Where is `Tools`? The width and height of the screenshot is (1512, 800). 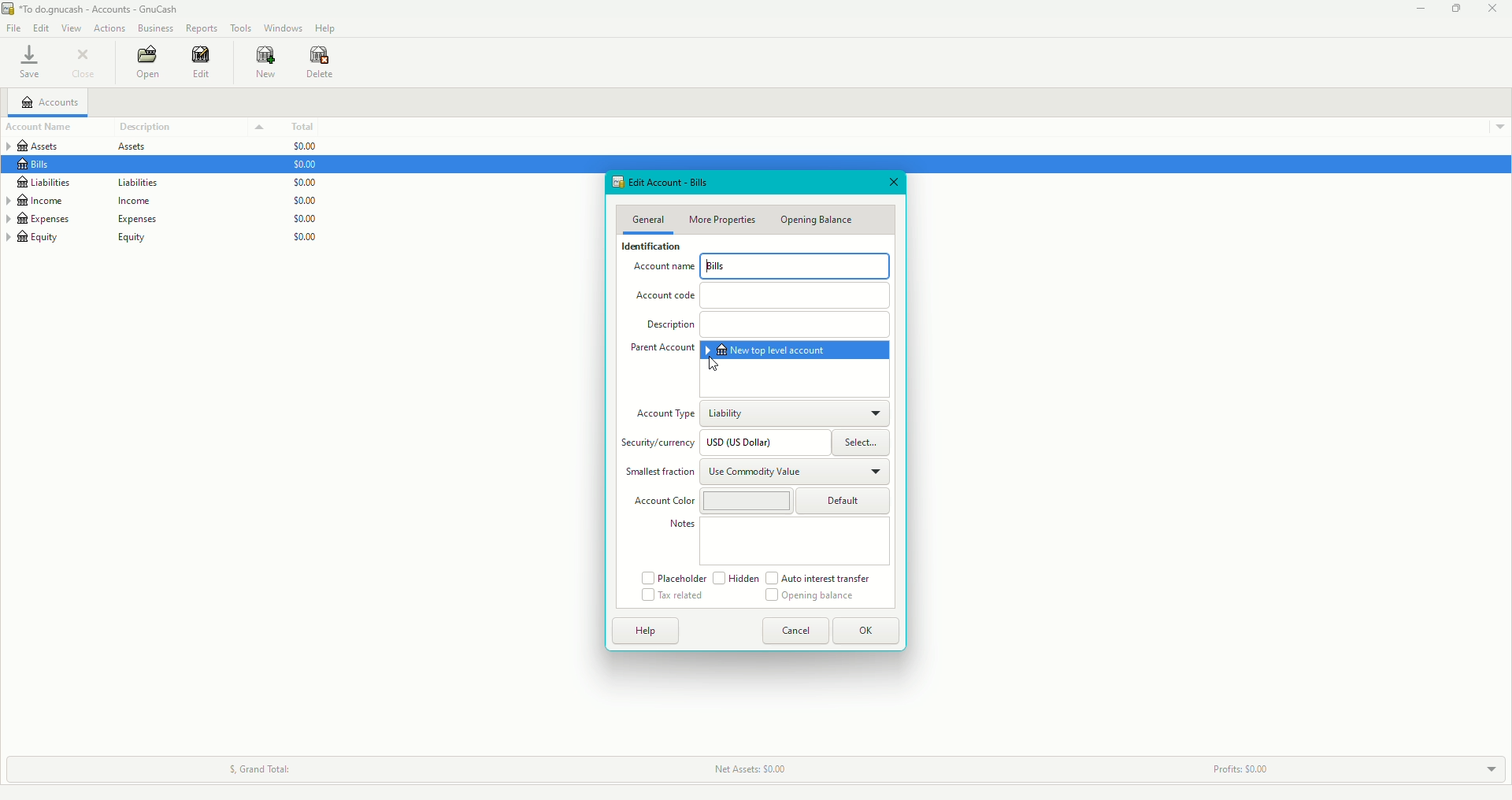
Tools is located at coordinates (243, 28).